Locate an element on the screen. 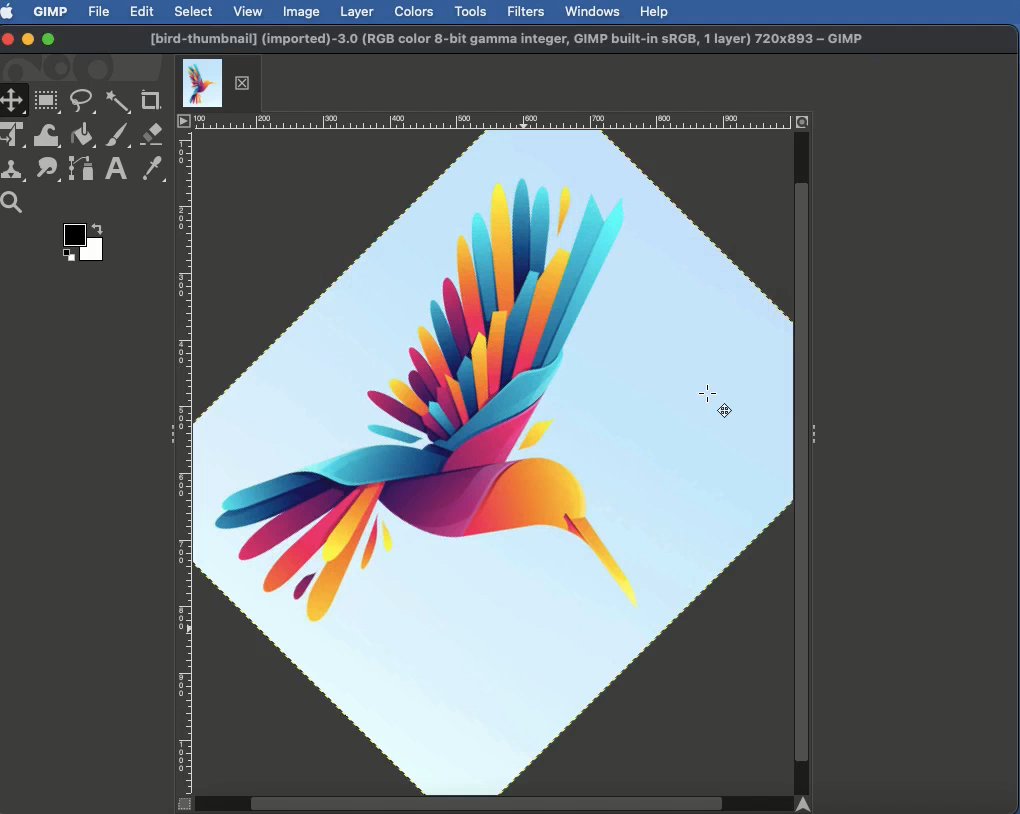 The width and height of the screenshot is (1020, 814). [bird-thumbnail] (imported)-3.0 (RGB color 8-bit gamma integer, GIMP built-in SRGB, 1 layer) 720x893 ~ GIMP. is located at coordinates (507, 40).